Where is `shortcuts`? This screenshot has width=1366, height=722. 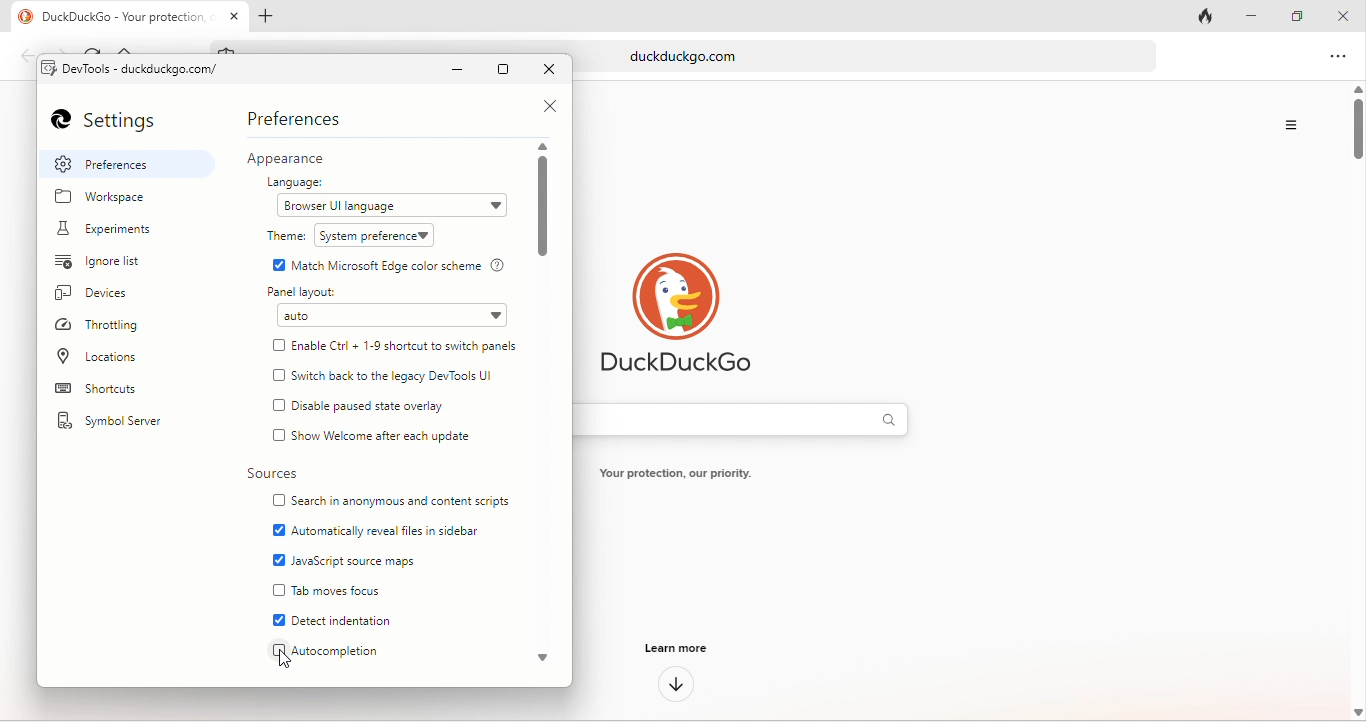 shortcuts is located at coordinates (122, 391).